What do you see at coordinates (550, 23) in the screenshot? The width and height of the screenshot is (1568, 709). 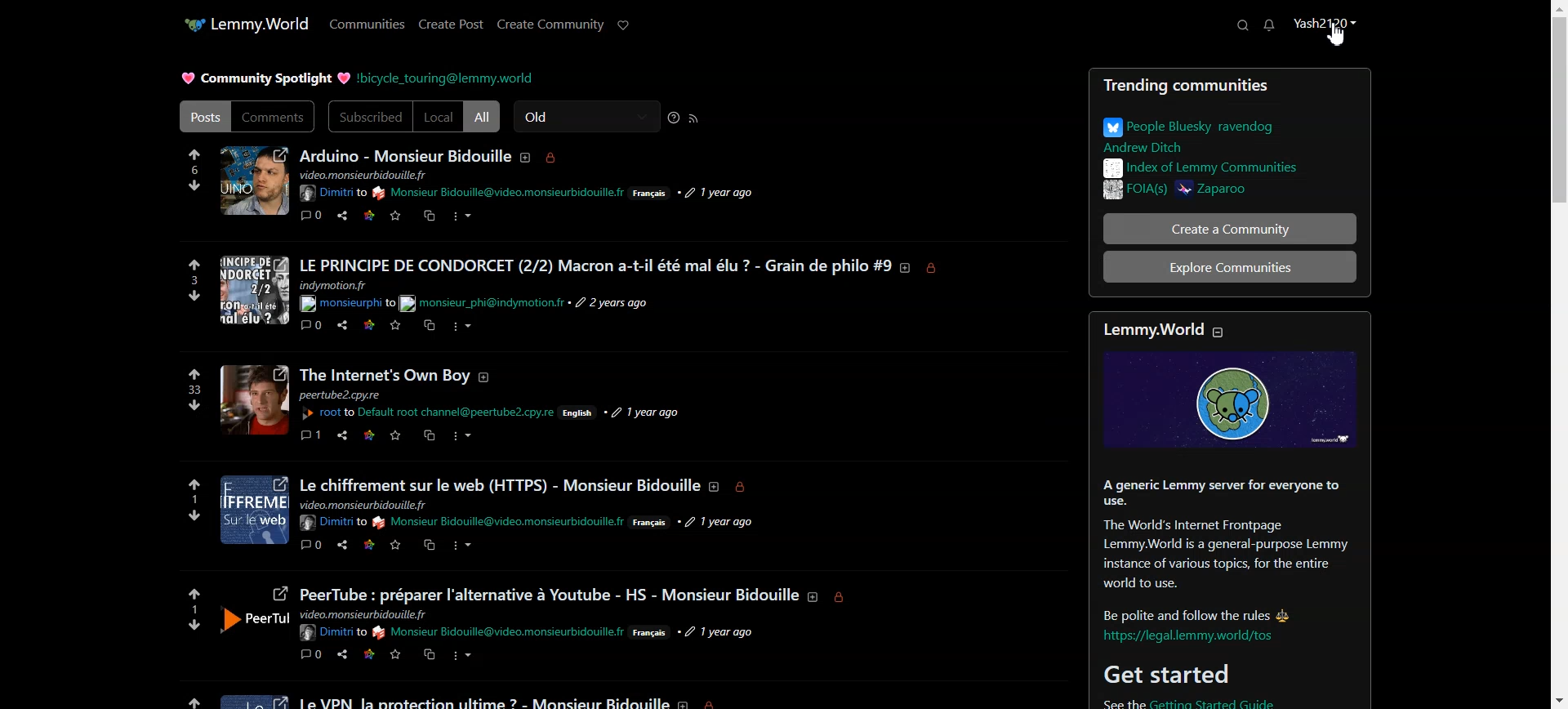 I see `Create Community` at bounding box center [550, 23].